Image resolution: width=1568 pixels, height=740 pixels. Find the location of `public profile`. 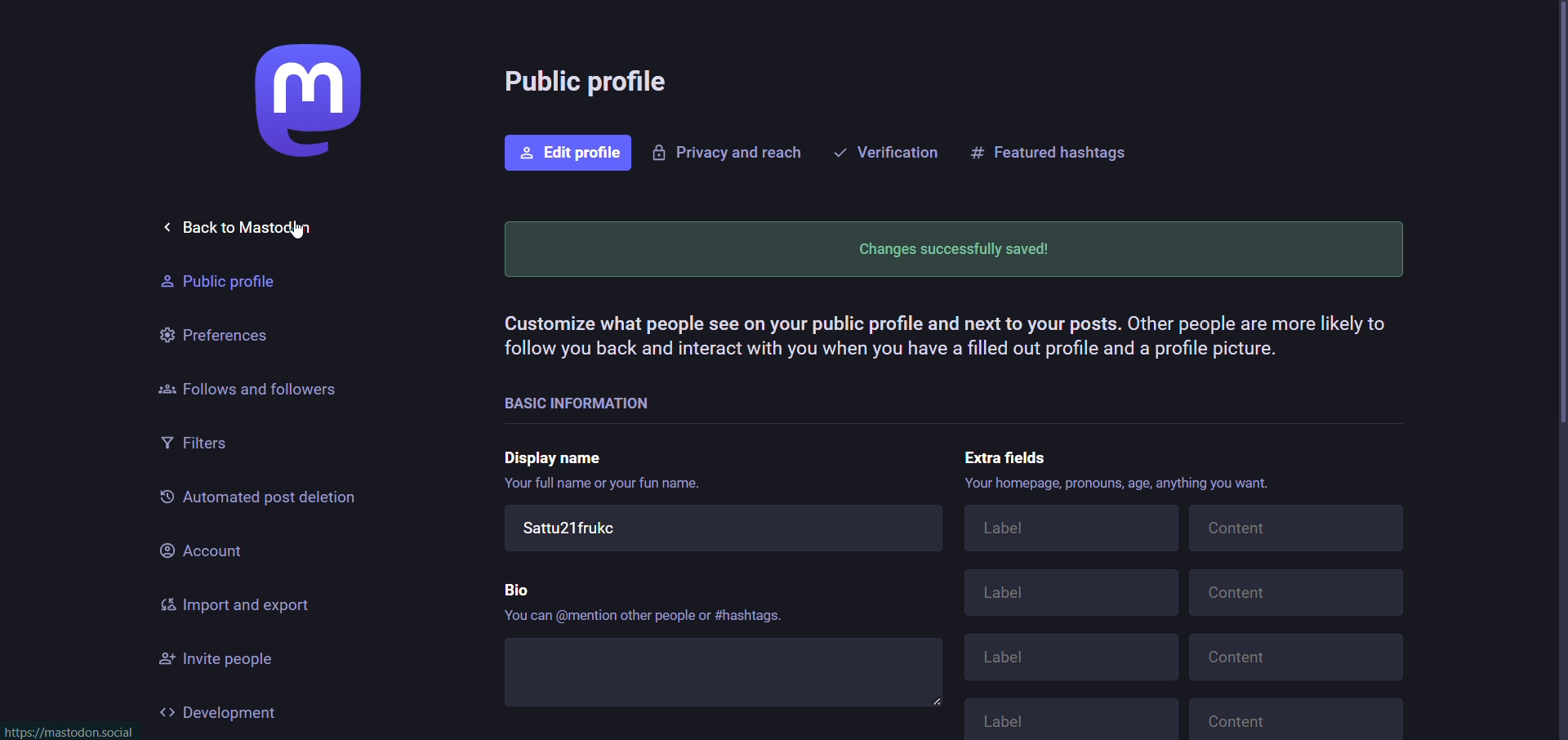

public profile is located at coordinates (591, 84).